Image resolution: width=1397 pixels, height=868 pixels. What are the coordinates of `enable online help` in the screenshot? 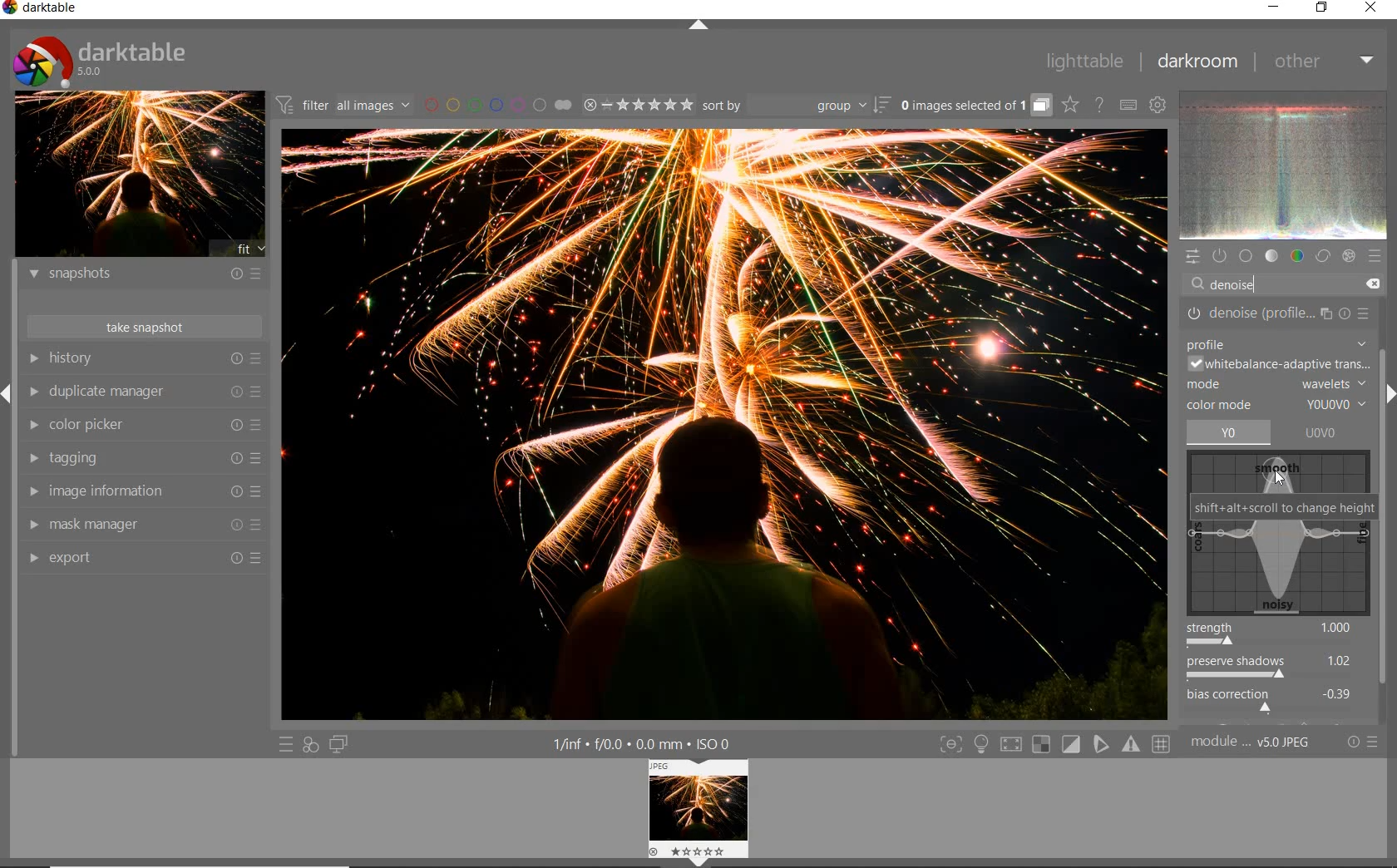 It's located at (1102, 106).